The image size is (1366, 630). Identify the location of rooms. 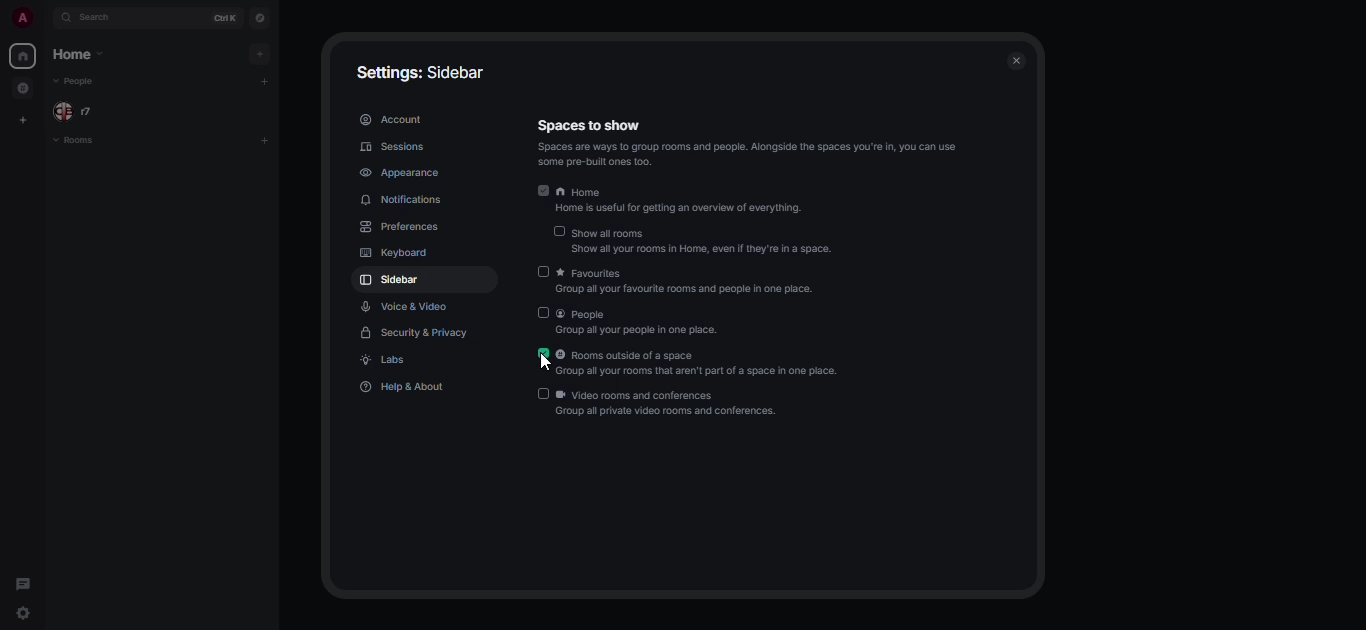
(82, 141).